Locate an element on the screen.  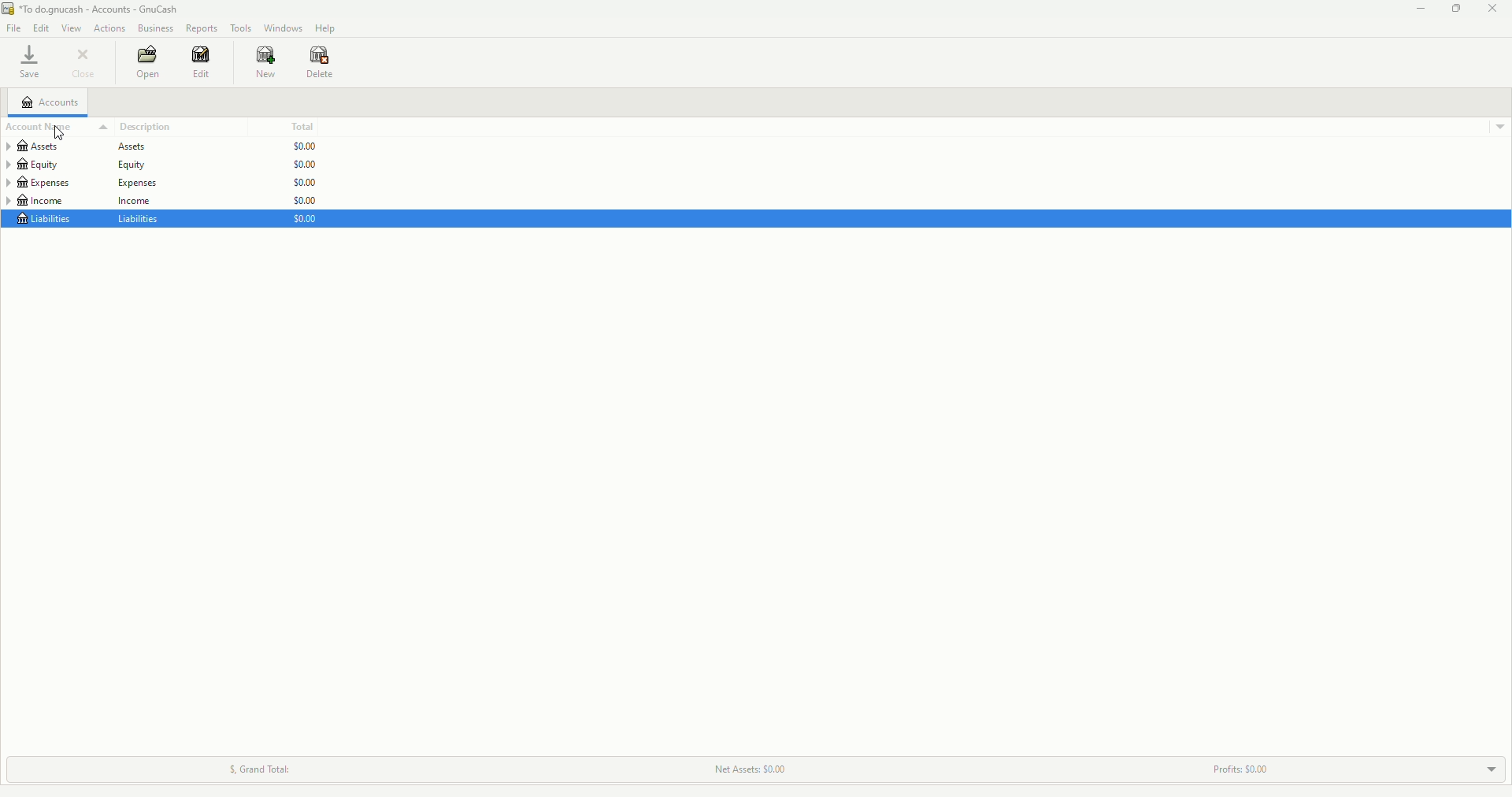
File is located at coordinates (11, 26).